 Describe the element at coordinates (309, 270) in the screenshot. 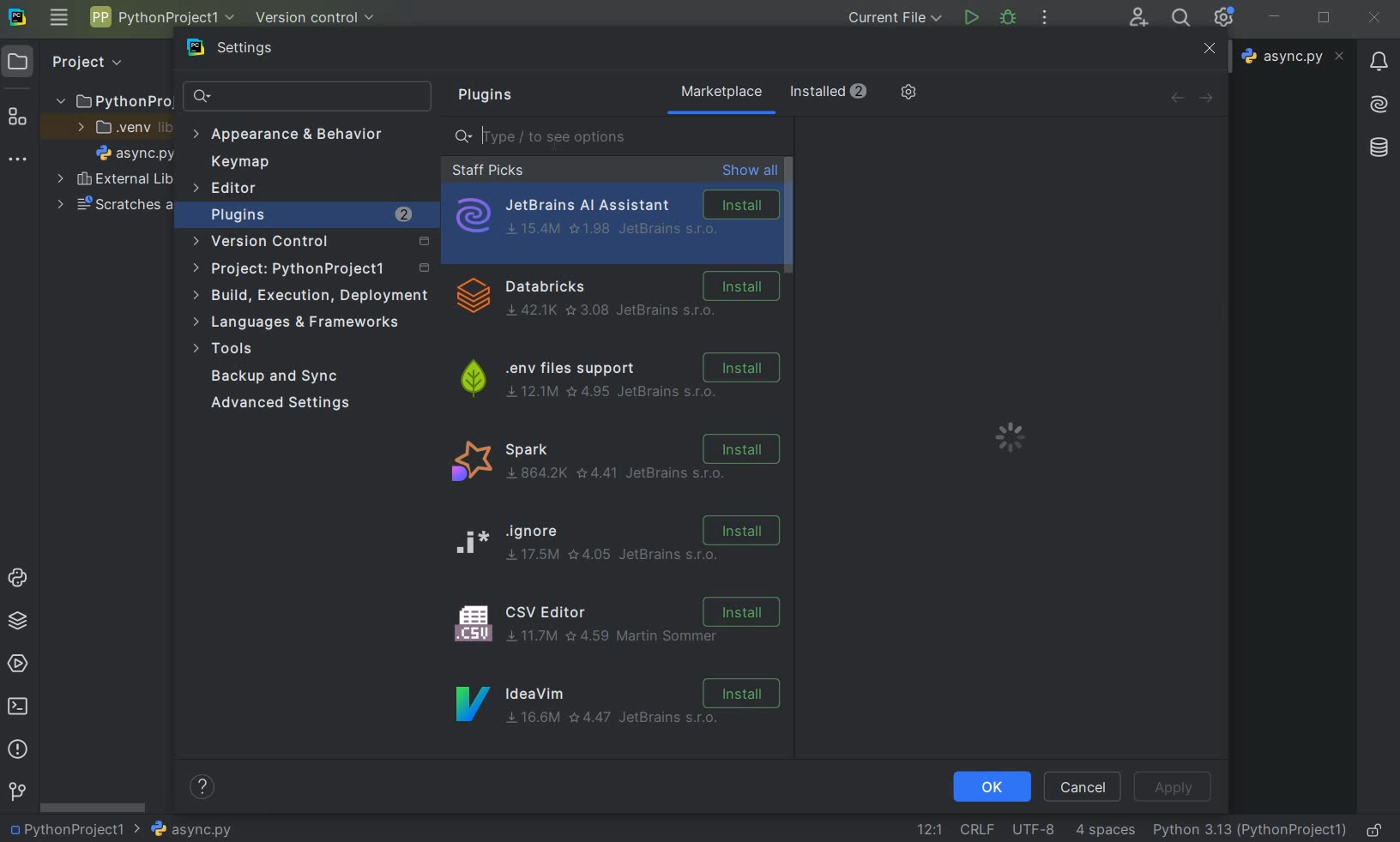

I see `project` at that location.